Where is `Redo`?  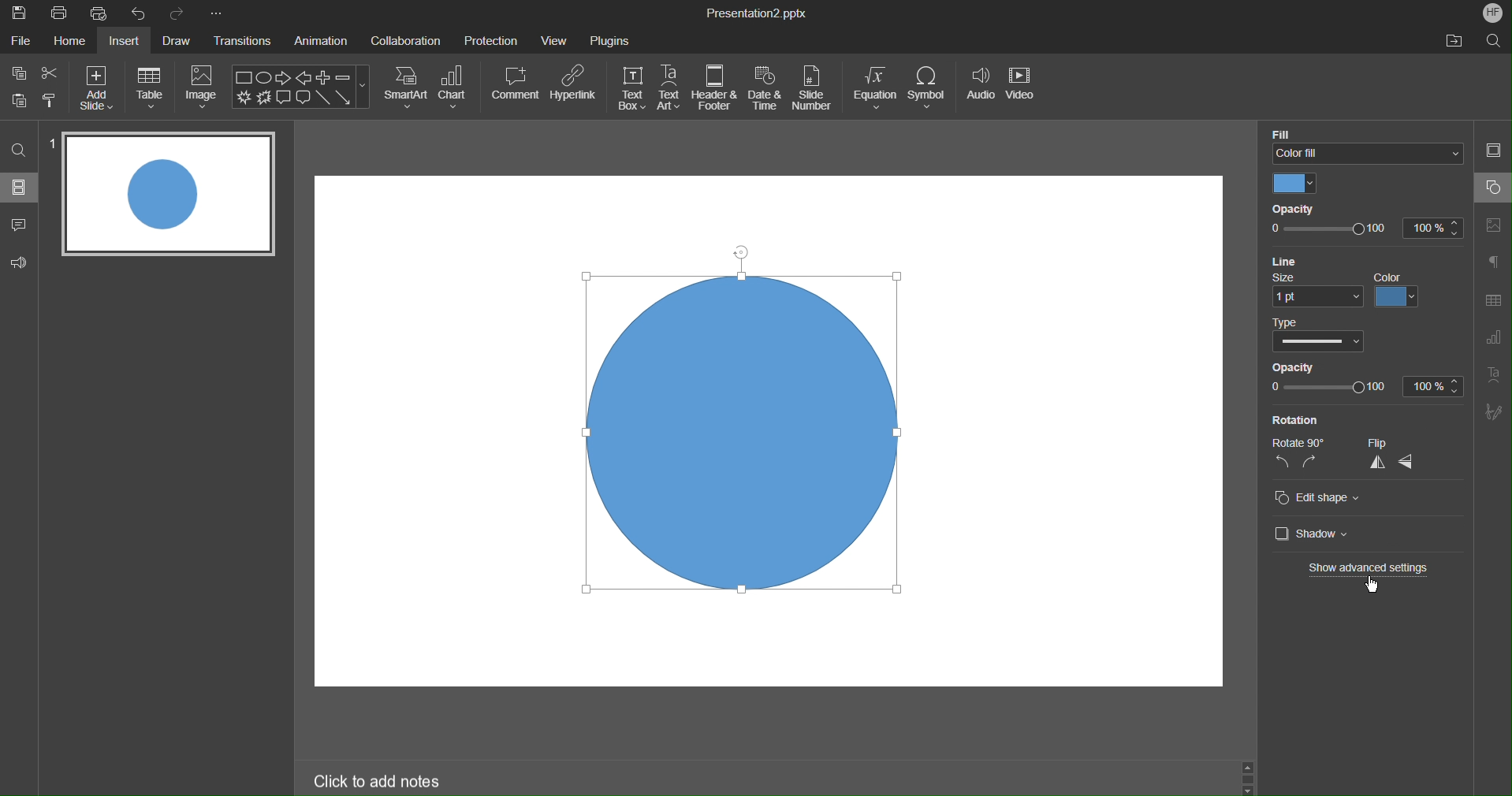
Redo is located at coordinates (178, 13).